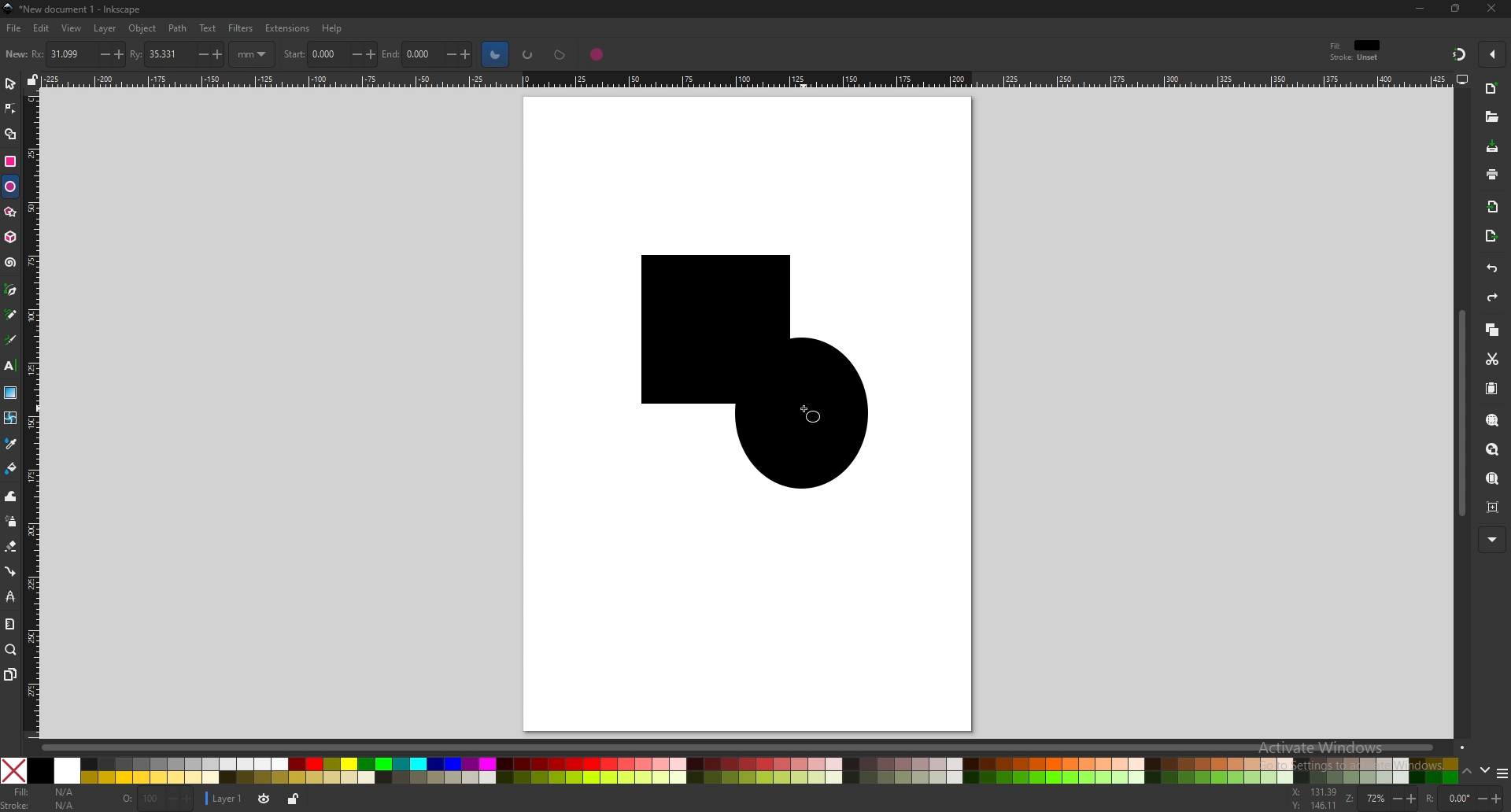  I want to click on redo, so click(1493, 298).